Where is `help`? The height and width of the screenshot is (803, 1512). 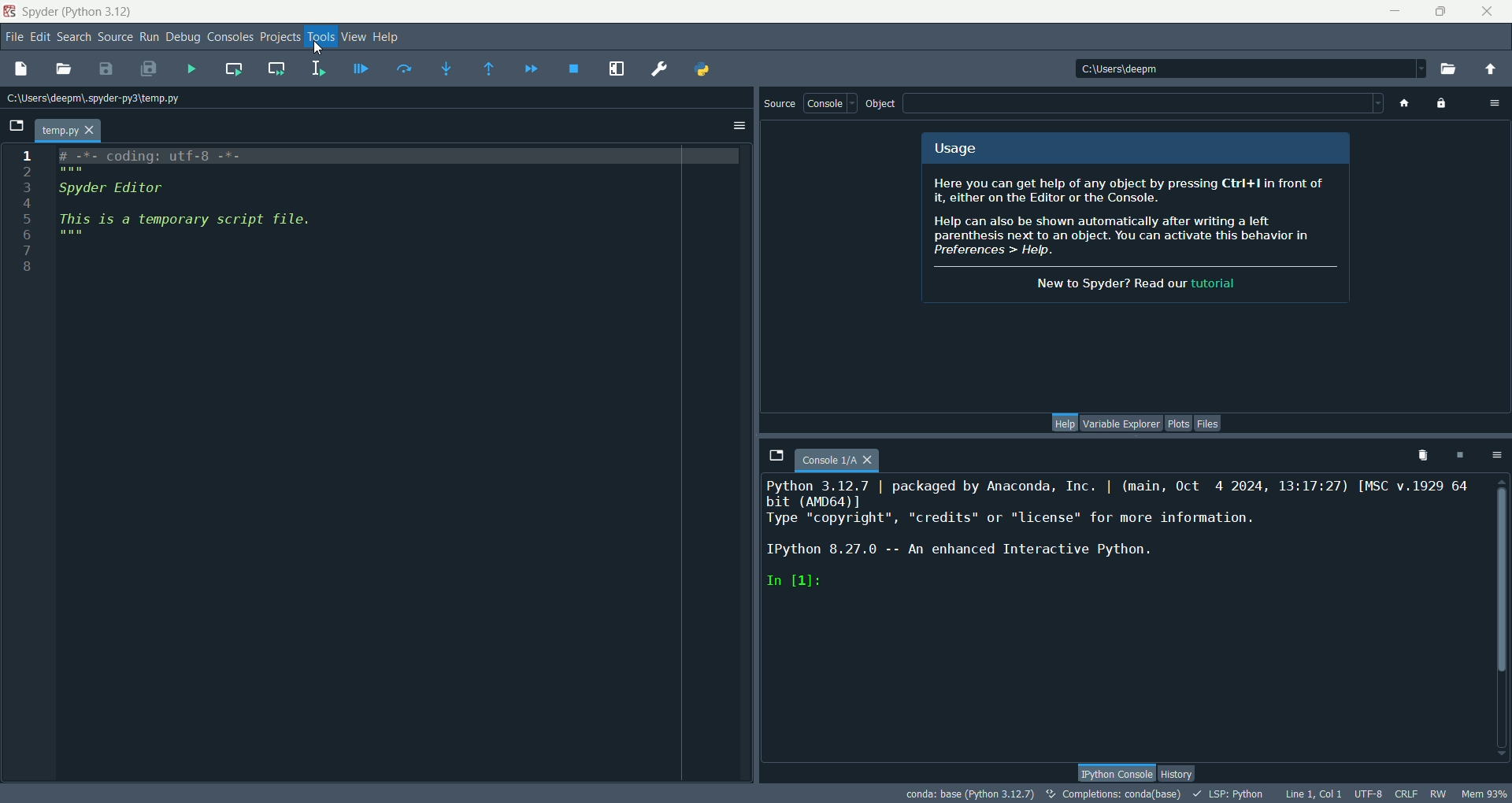 help is located at coordinates (1065, 423).